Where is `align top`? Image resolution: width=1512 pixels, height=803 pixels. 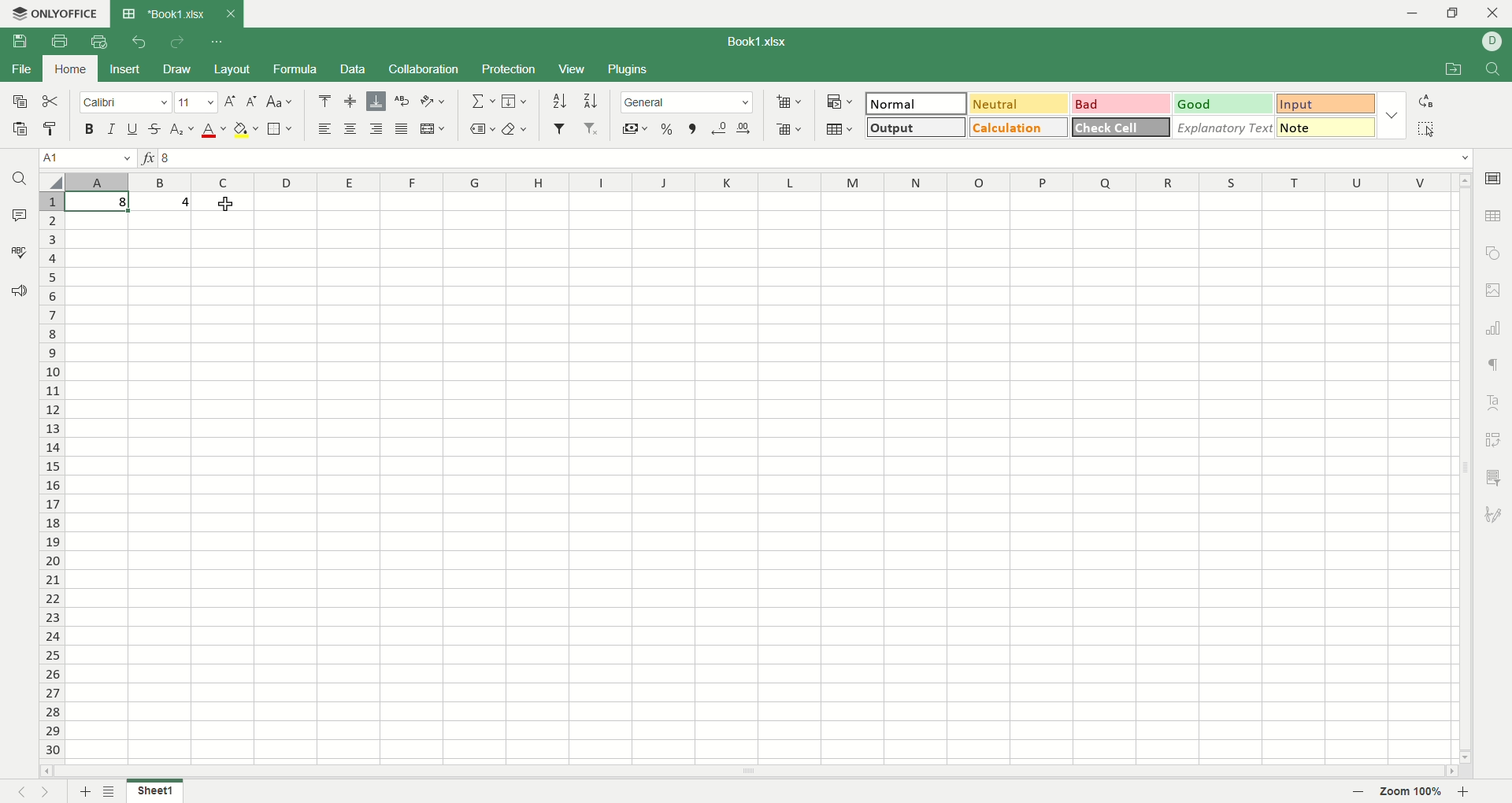 align top is located at coordinates (324, 101).